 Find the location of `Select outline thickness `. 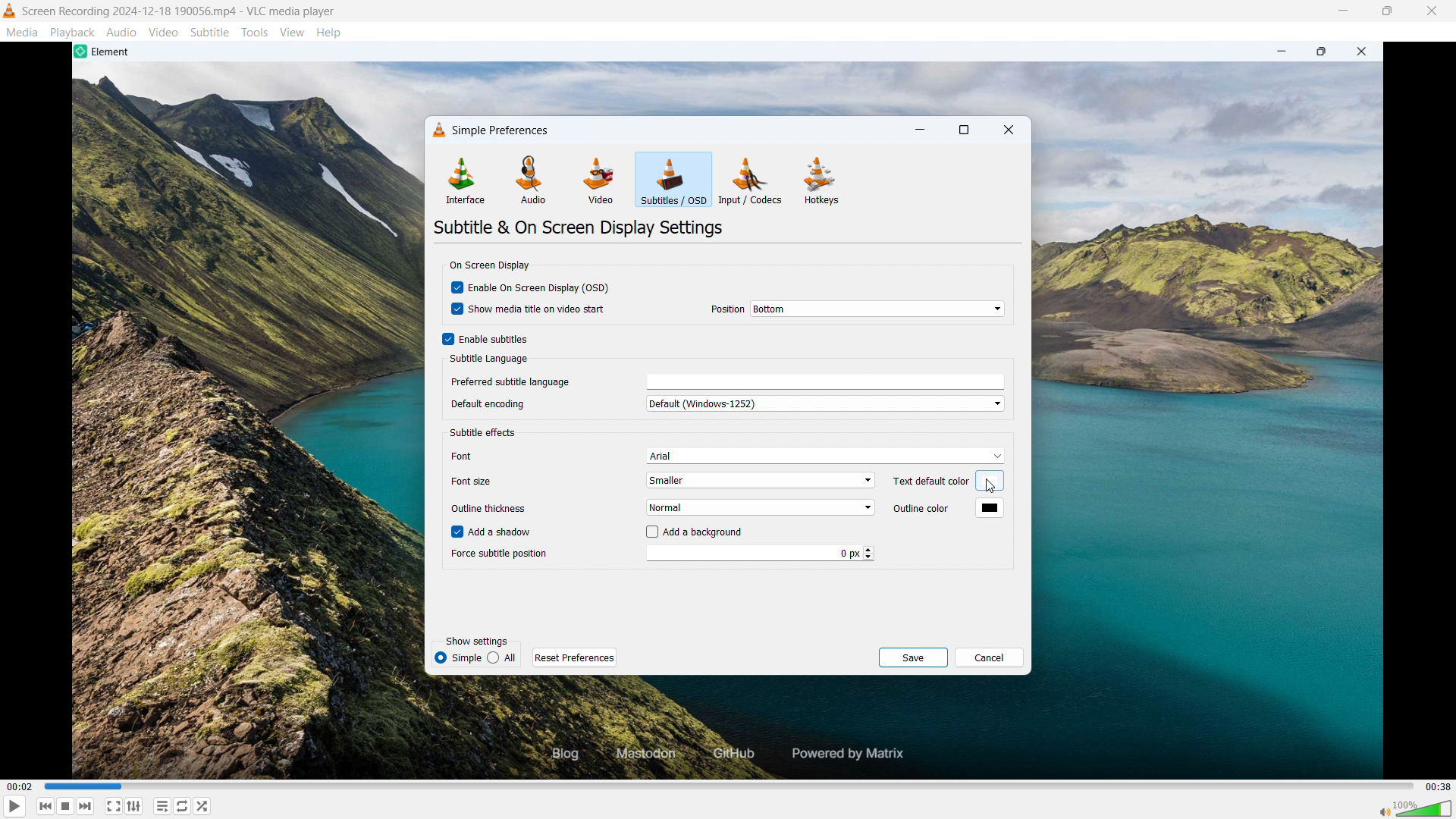

Select outline thickness  is located at coordinates (758, 505).